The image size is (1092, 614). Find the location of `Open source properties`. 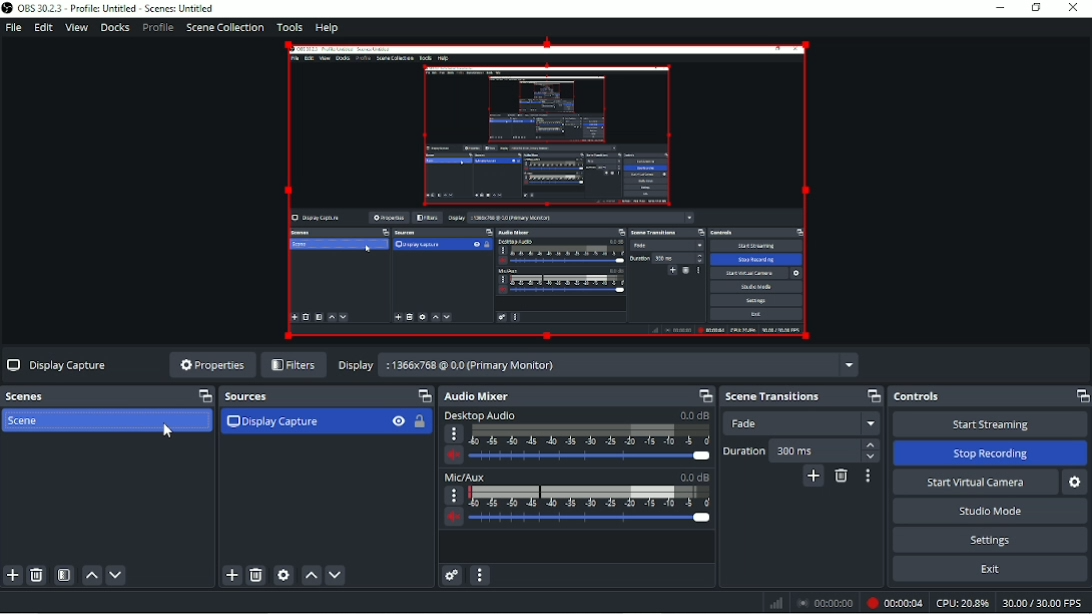

Open source properties is located at coordinates (284, 575).